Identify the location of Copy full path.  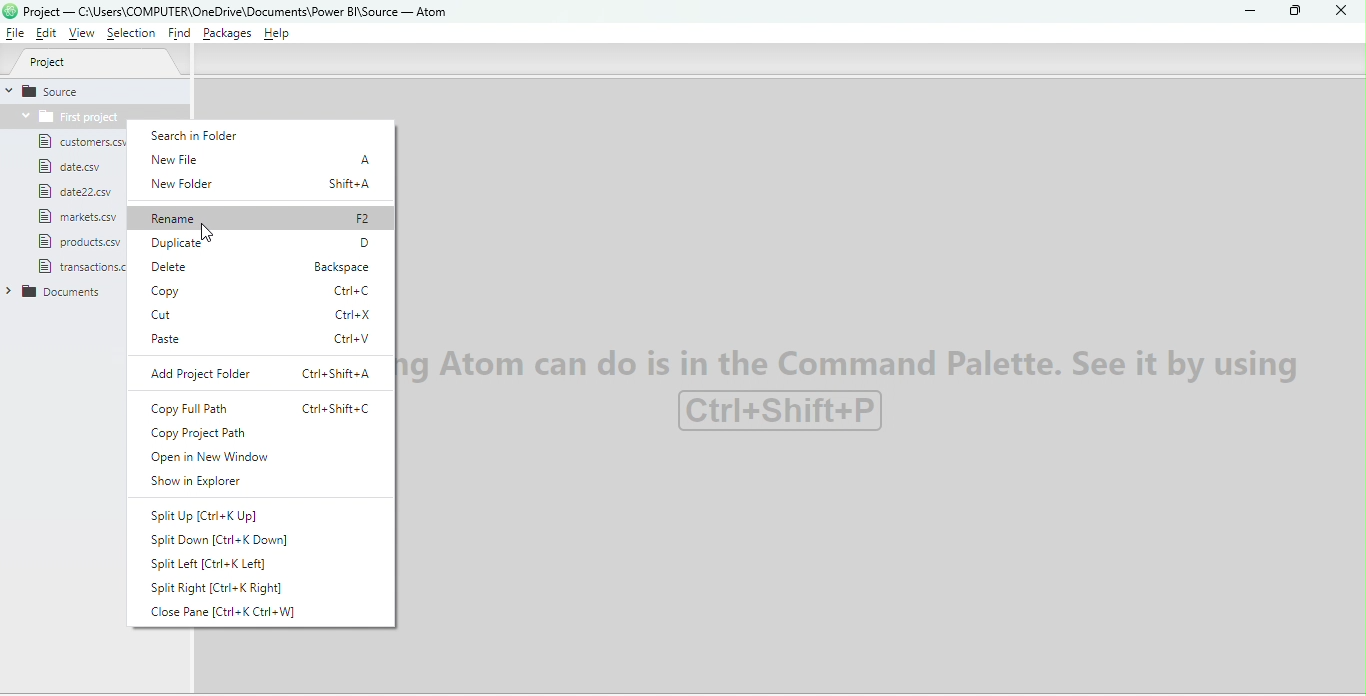
(259, 409).